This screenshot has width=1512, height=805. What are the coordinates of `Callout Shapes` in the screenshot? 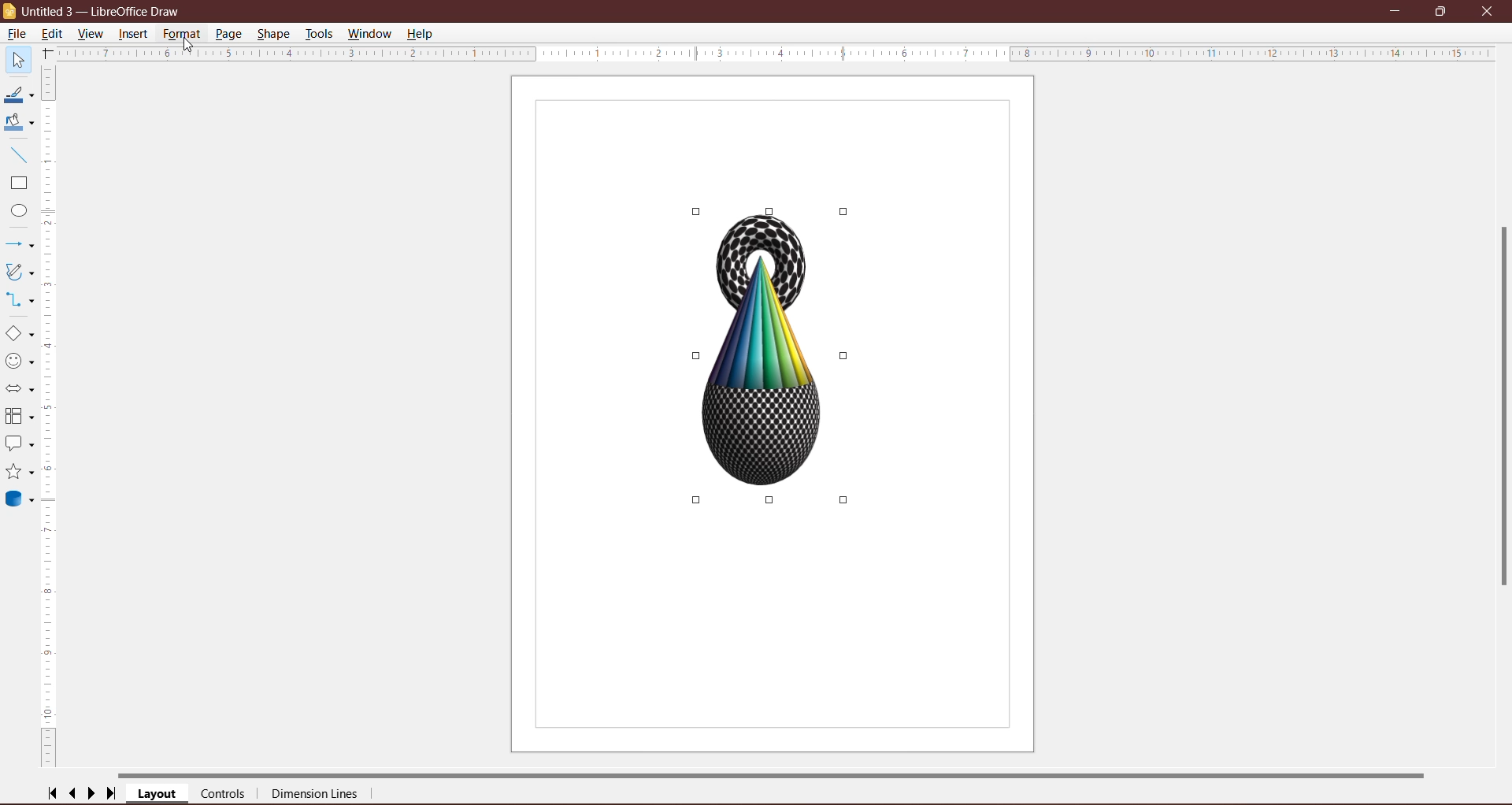 It's located at (20, 445).